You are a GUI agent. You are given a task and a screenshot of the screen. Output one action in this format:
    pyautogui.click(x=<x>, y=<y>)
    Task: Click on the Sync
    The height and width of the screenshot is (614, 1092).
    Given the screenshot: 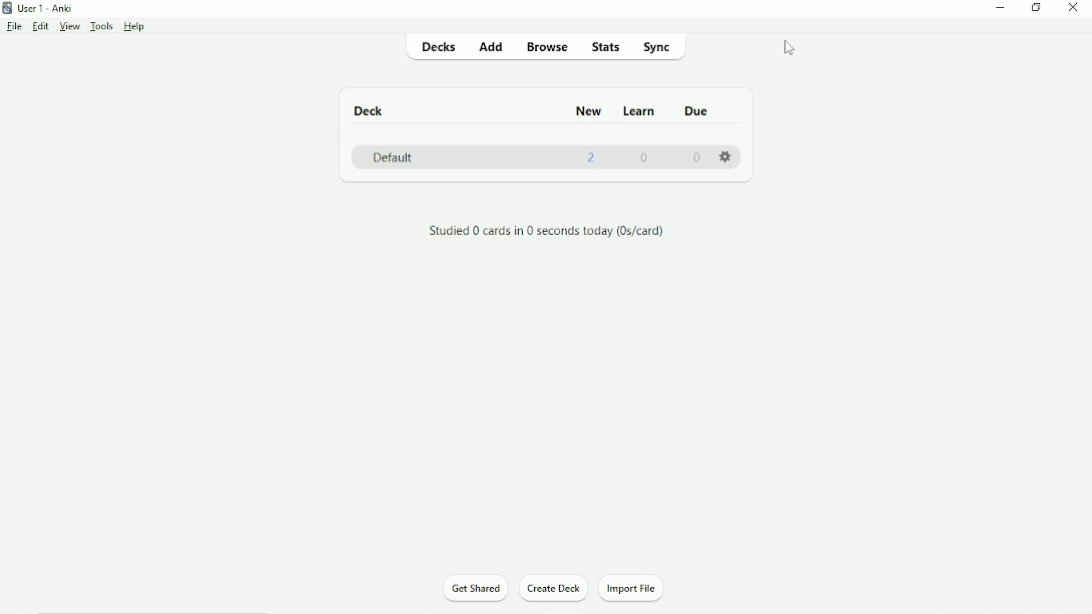 What is the action you would take?
    pyautogui.click(x=670, y=48)
    